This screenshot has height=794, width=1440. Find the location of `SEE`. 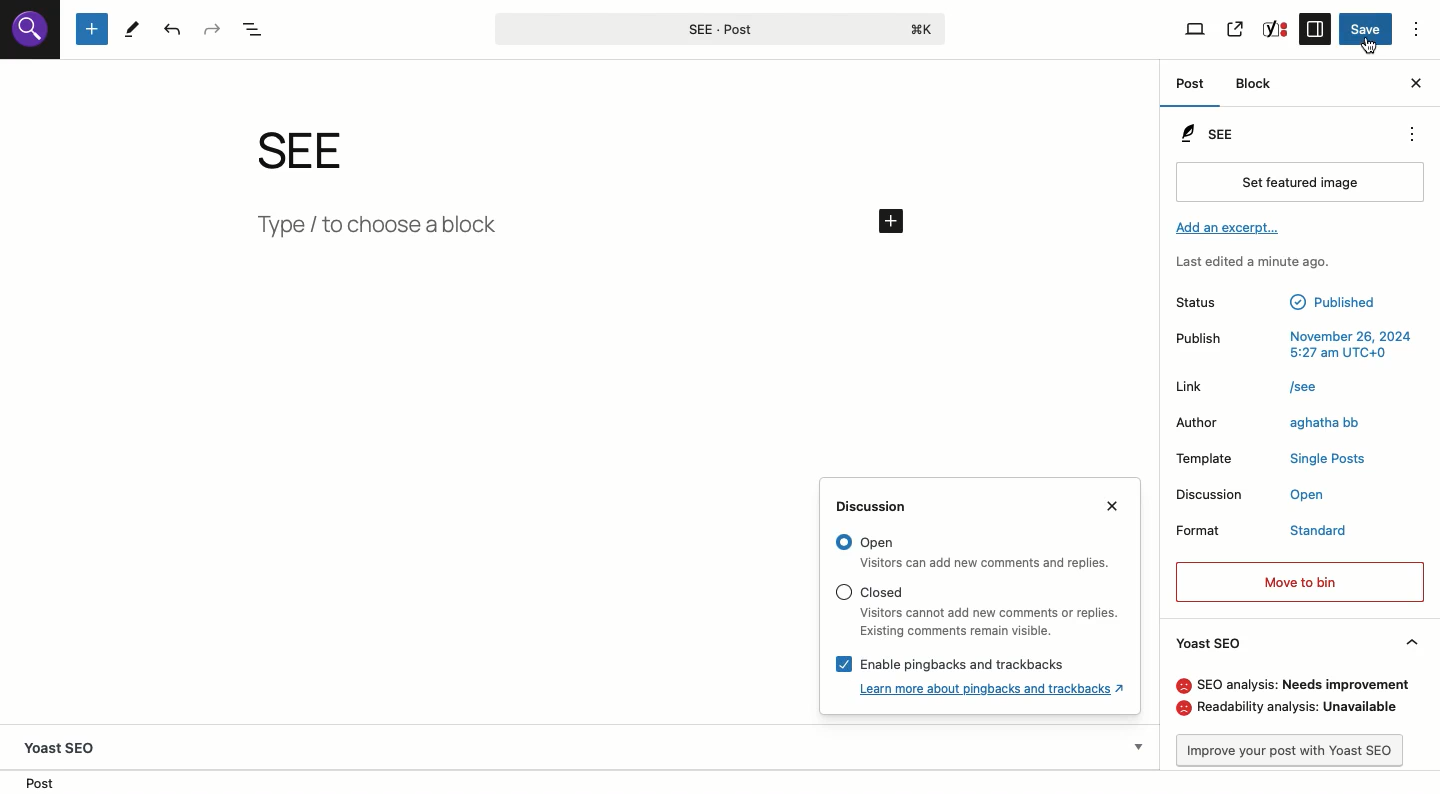

SEE is located at coordinates (1213, 132).